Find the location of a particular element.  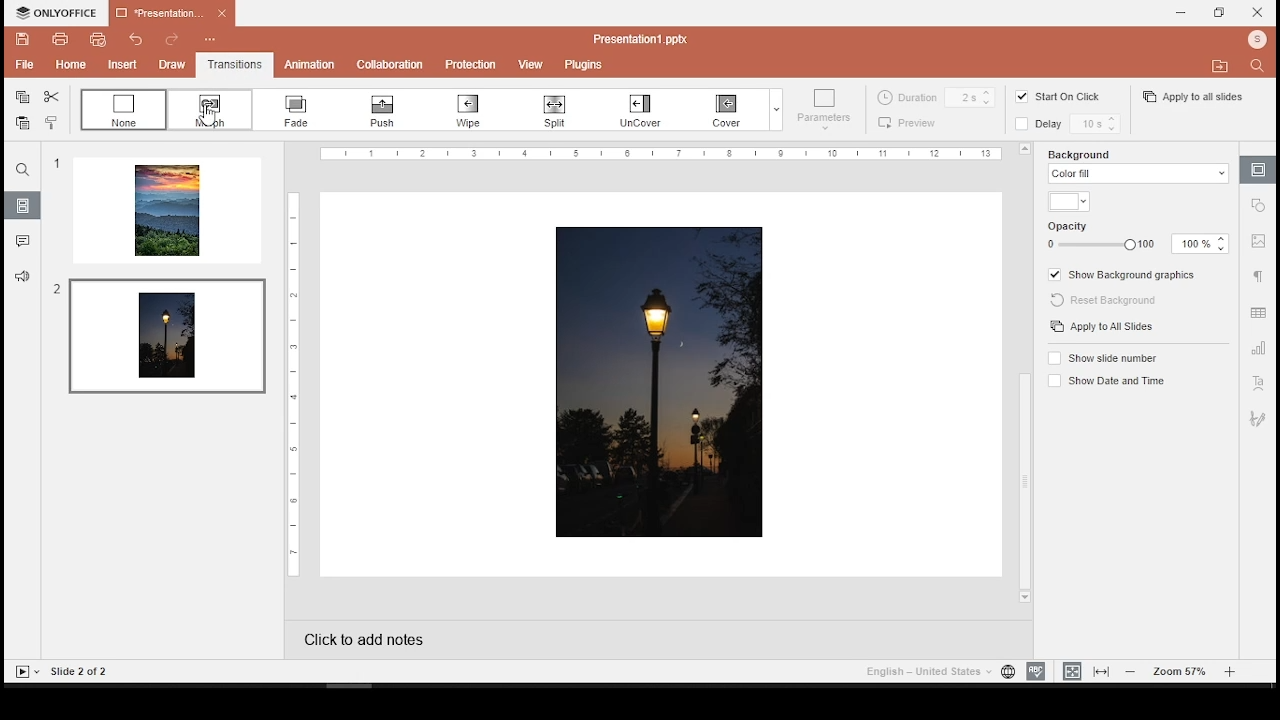

scroll bar is located at coordinates (1023, 375).